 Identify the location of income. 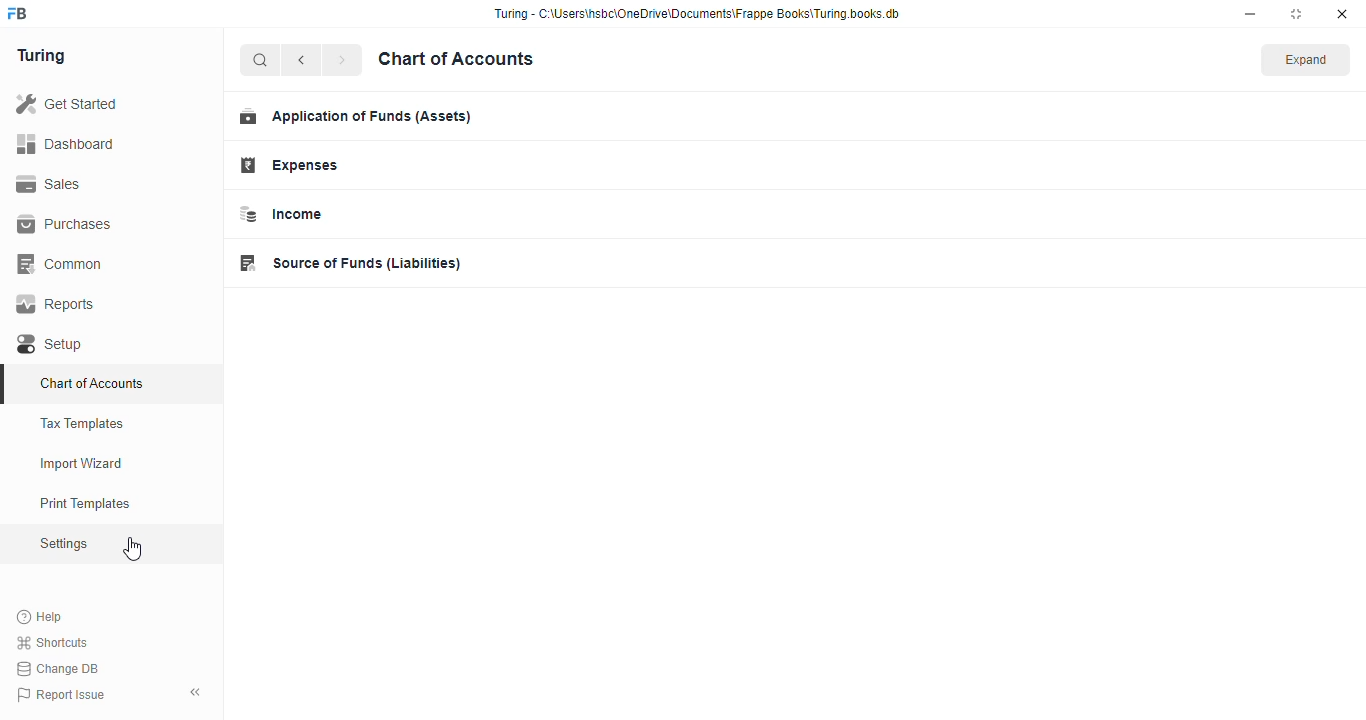
(280, 214).